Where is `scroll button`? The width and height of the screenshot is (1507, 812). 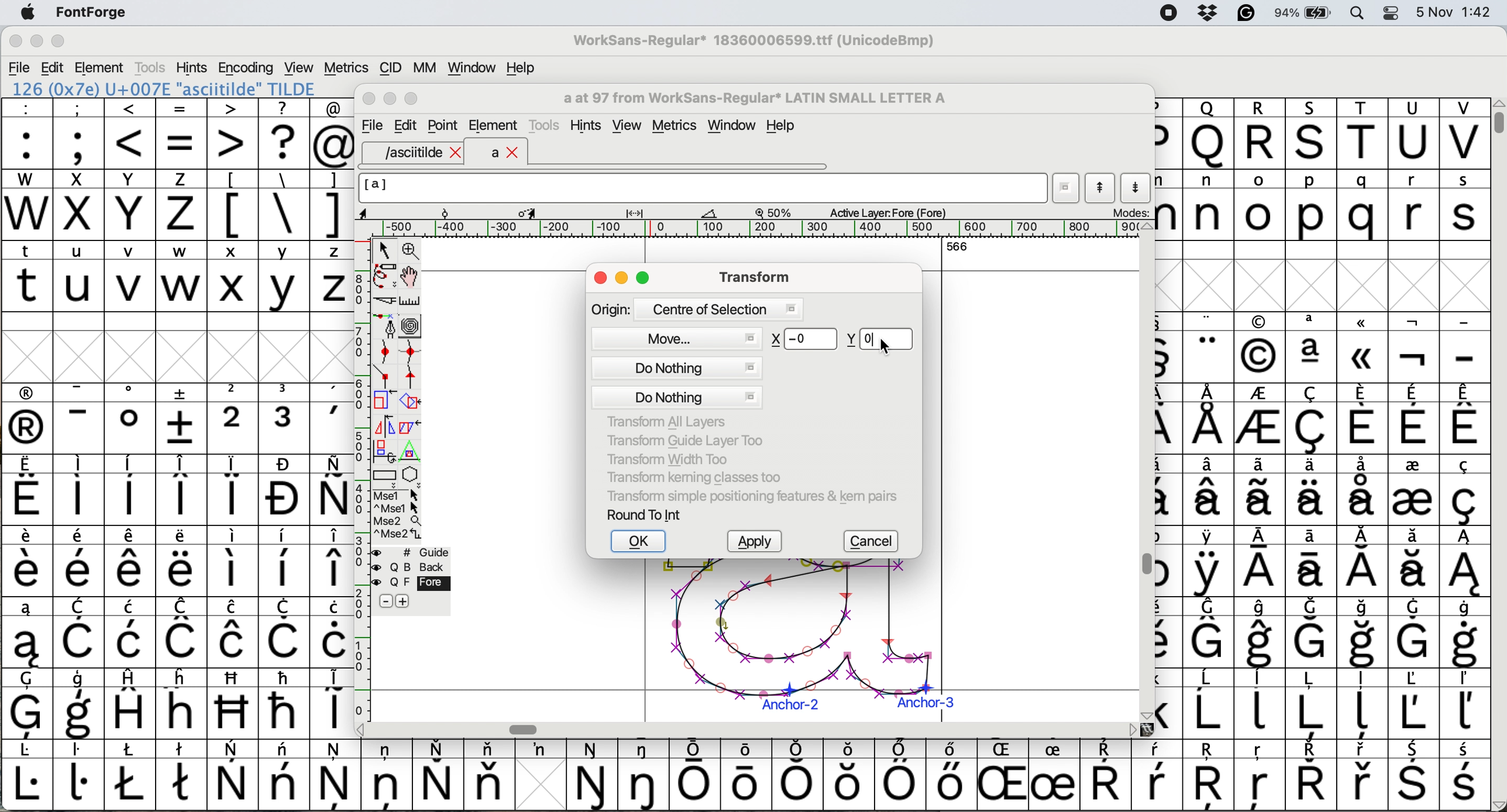
scroll button is located at coordinates (1133, 729).